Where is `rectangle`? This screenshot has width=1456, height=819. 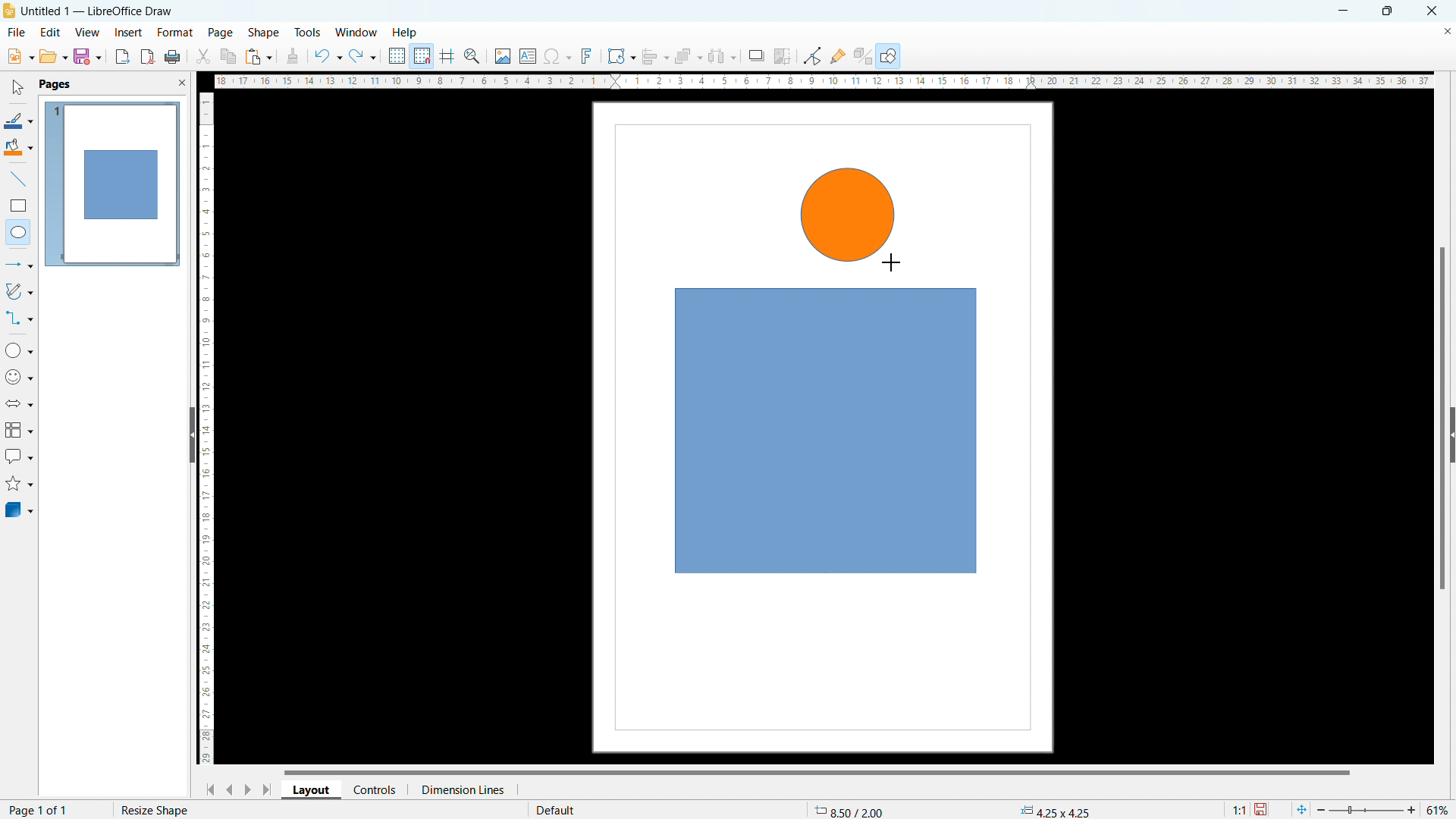
rectangle is located at coordinates (18, 206).